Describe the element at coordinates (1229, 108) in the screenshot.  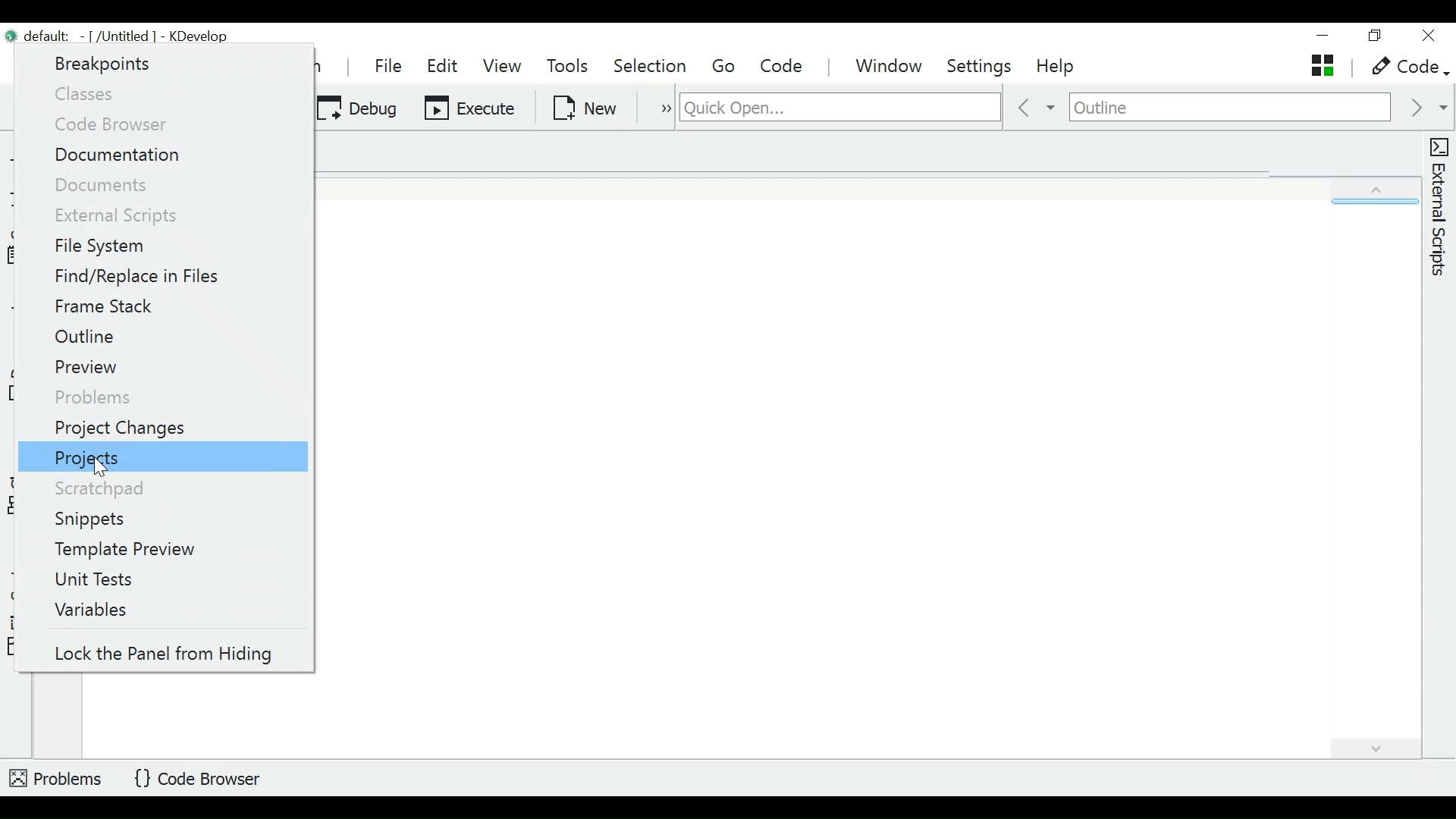
I see `Navigate outline of an active document` at that location.